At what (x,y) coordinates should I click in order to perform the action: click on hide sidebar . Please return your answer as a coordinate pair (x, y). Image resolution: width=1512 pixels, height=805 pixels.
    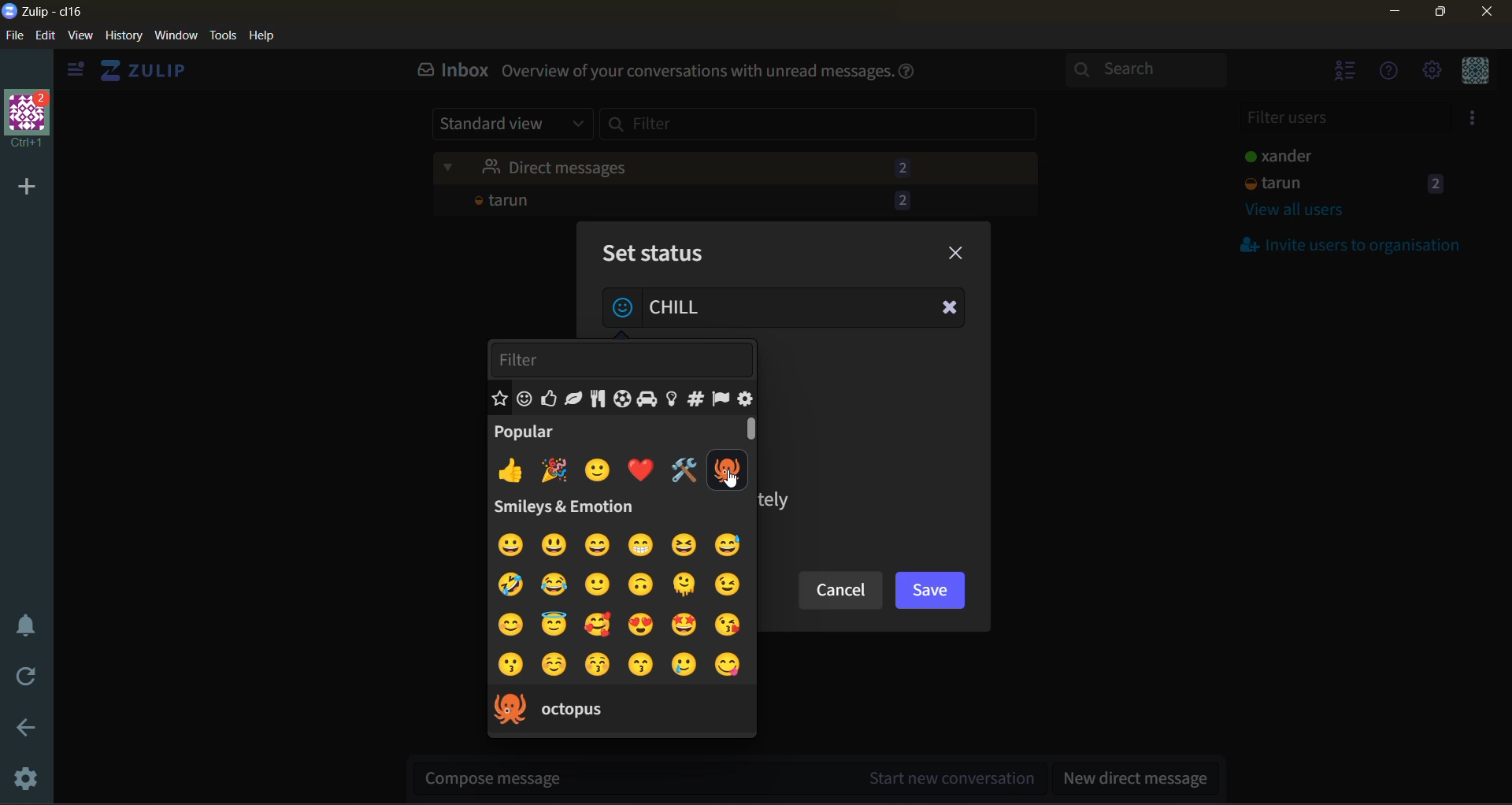
    Looking at the image, I should click on (73, 68).